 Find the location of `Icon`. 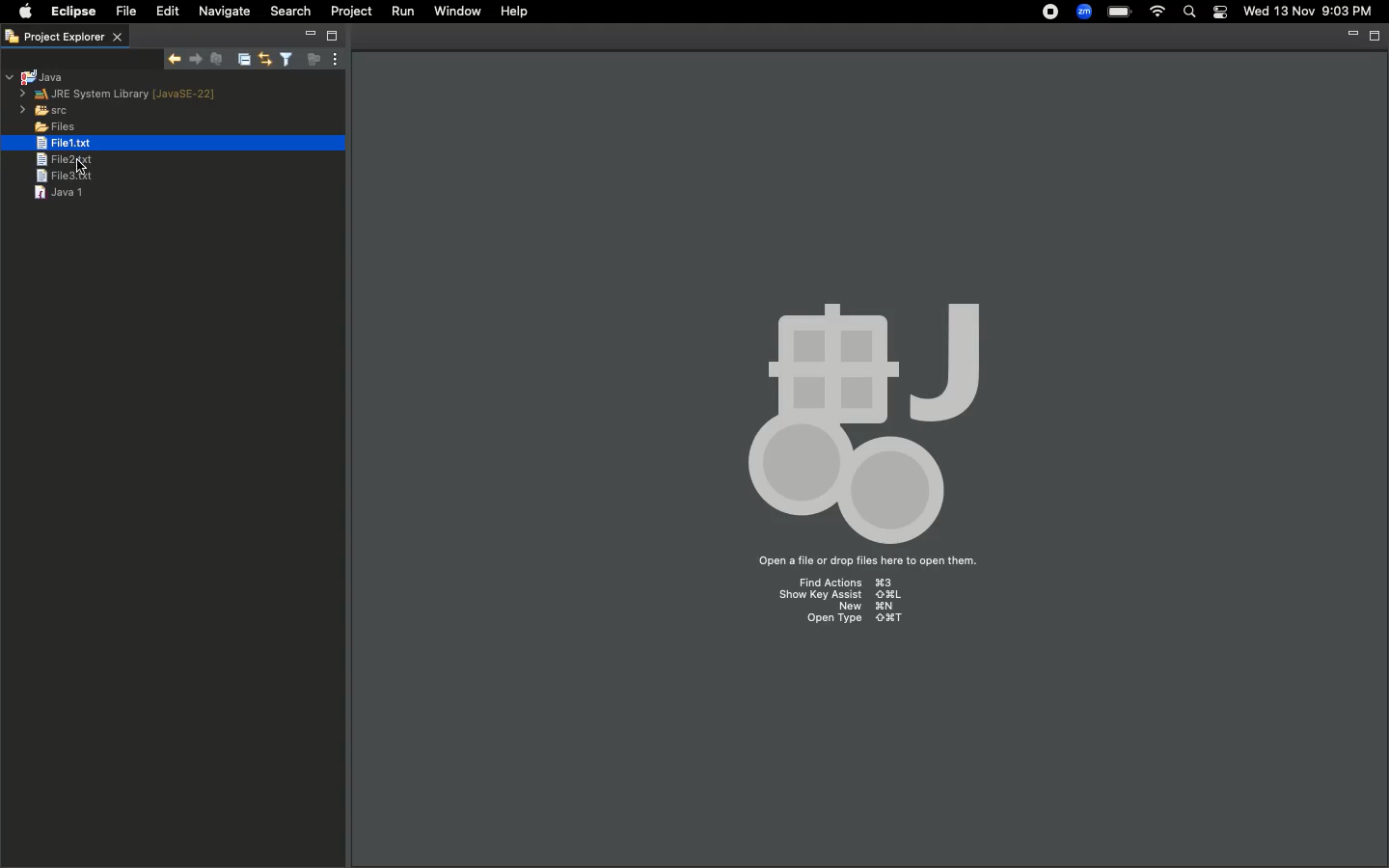

Icon is located at coordinates (862, 407).